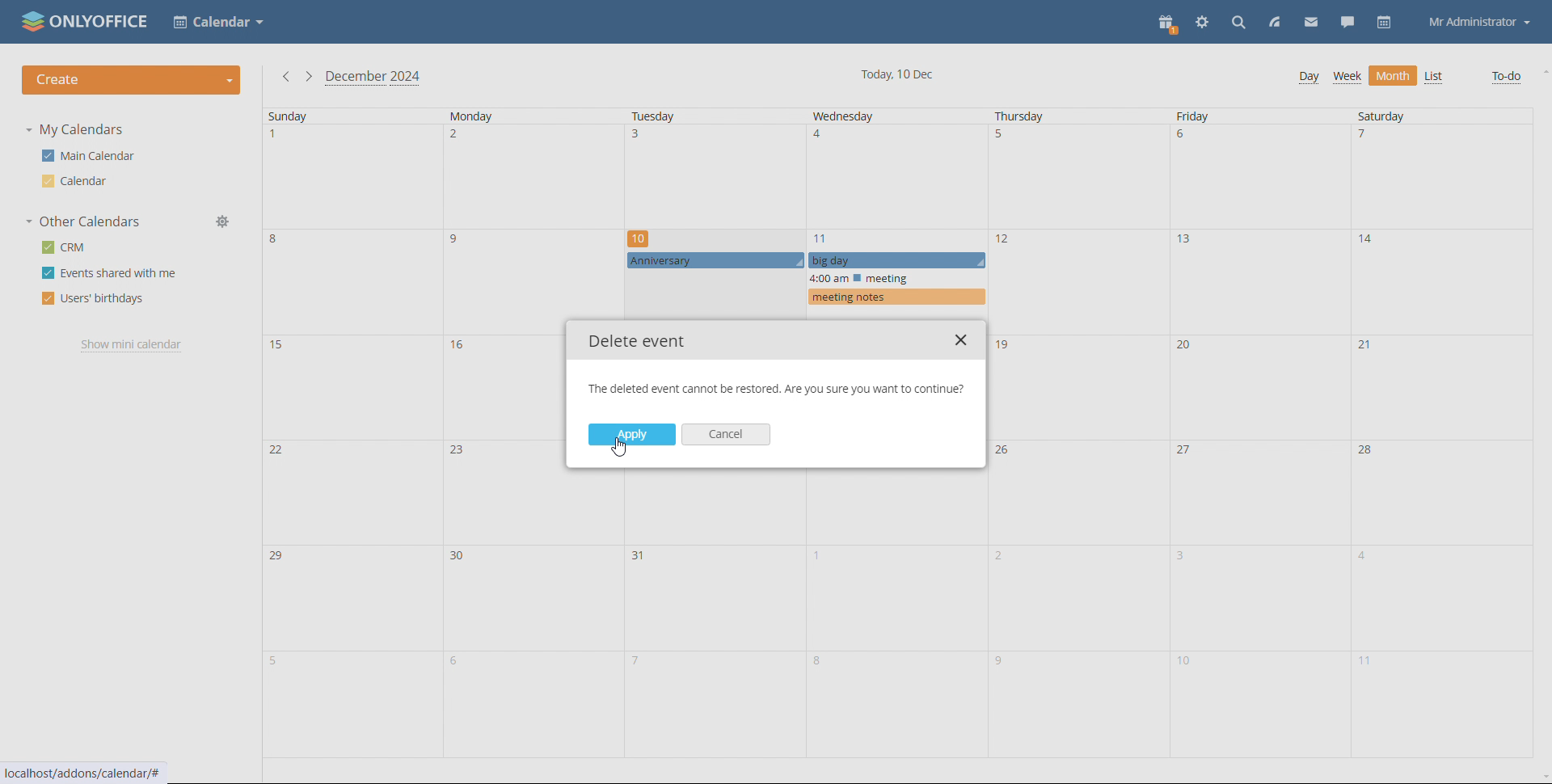 The width and height of the screenshot is (1552, 784). I want to click on my calendars, so click(78, 130).